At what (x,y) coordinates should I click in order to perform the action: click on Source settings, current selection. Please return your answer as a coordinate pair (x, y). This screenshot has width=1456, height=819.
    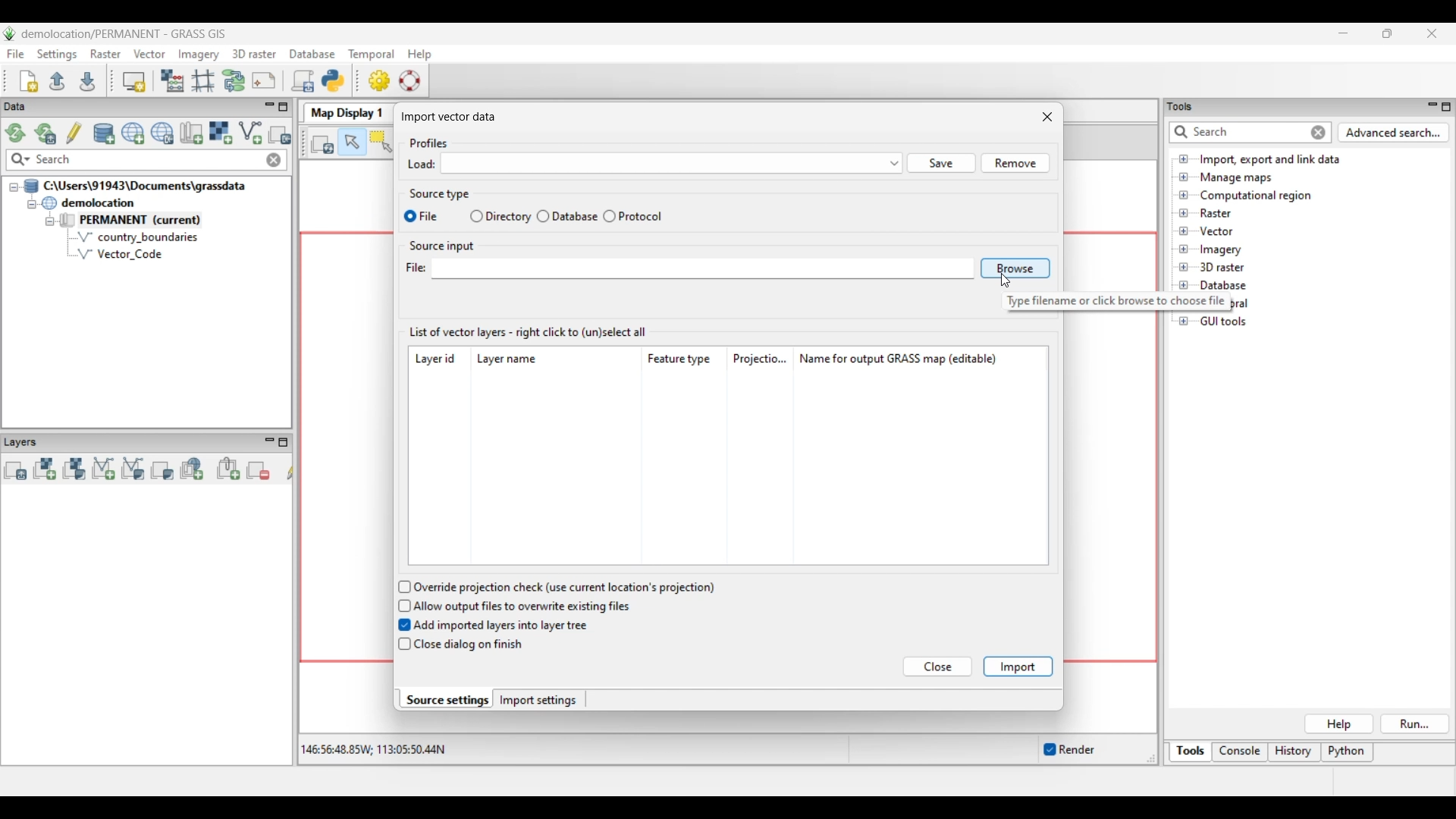
    Looking at the image, I should click on (444, 699).